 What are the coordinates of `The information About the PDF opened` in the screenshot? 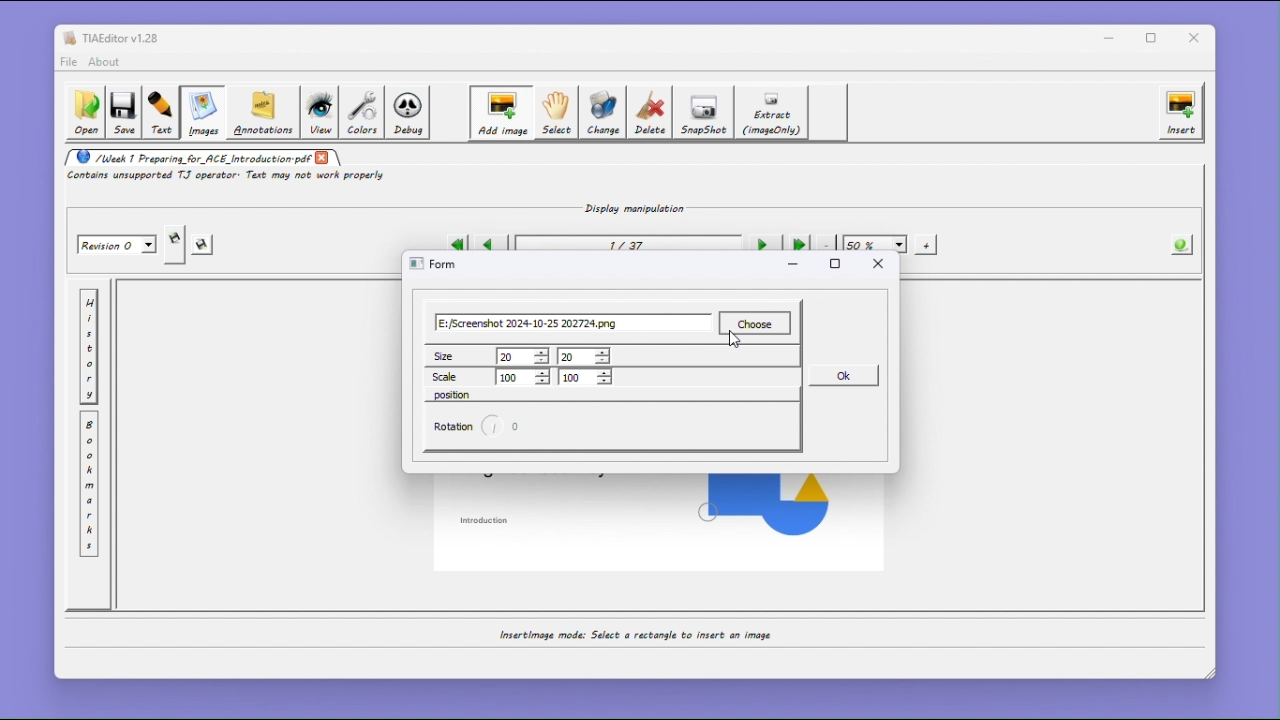 It's located at (1183, 243).